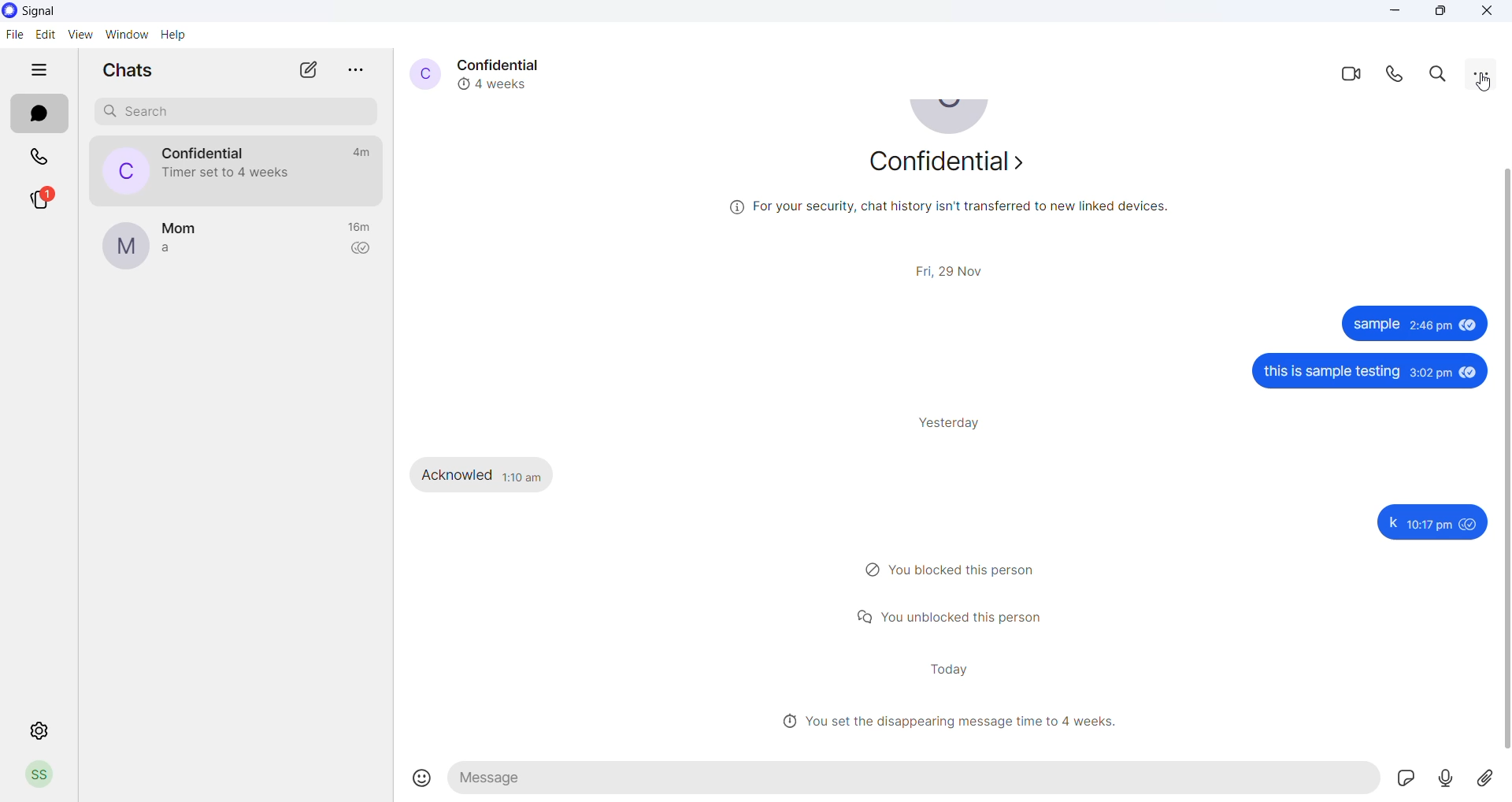  What do you see at coordinates (362, 228) in the screenshot?
I see `last message timeframe` at bounding box center [362, 228].